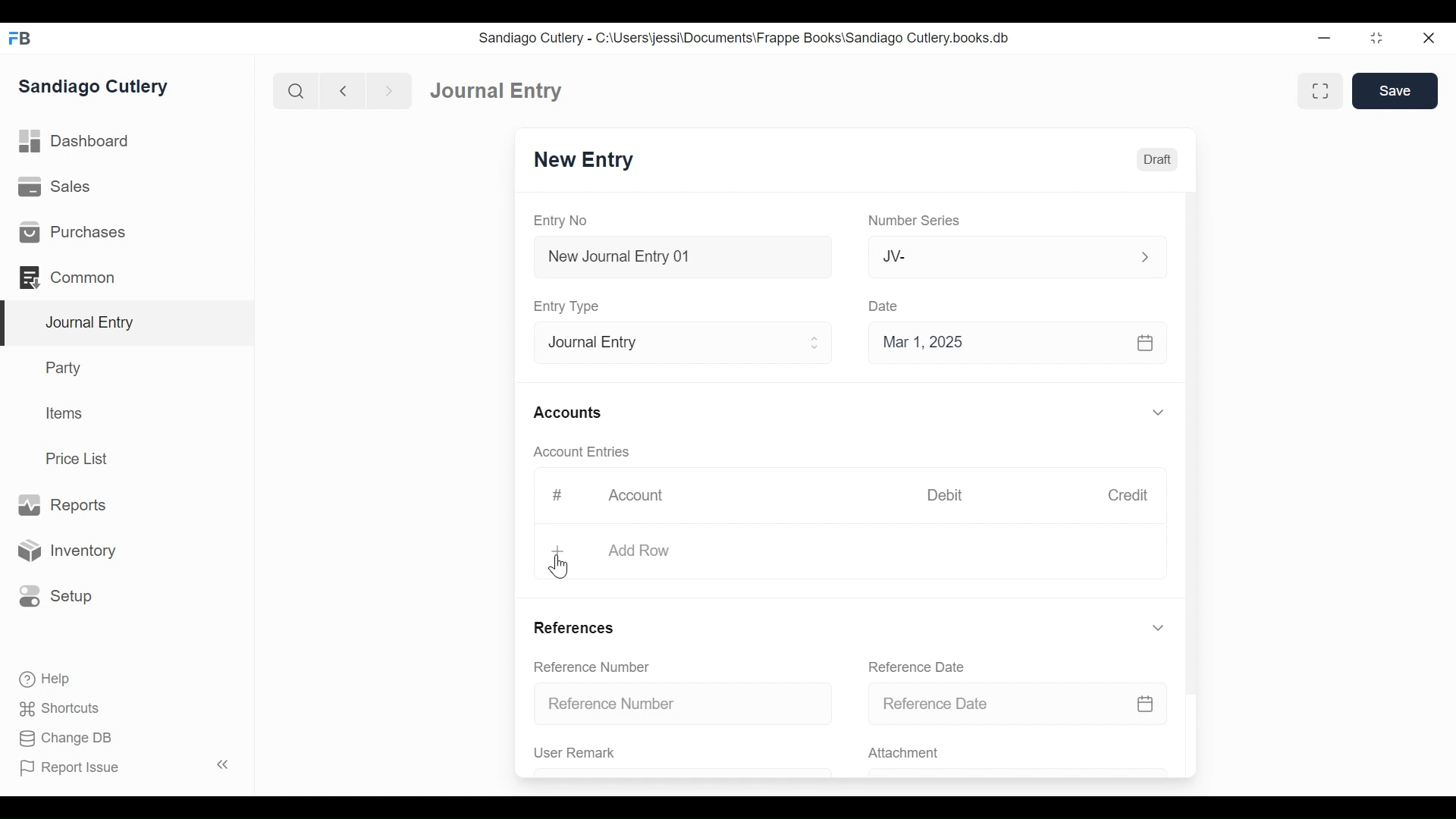 The image size is (1456, 819). What do you see at coordinates (19, 38) in the screenshot?
I see `FrappeBooks logo` at bounding box center [19, 38].